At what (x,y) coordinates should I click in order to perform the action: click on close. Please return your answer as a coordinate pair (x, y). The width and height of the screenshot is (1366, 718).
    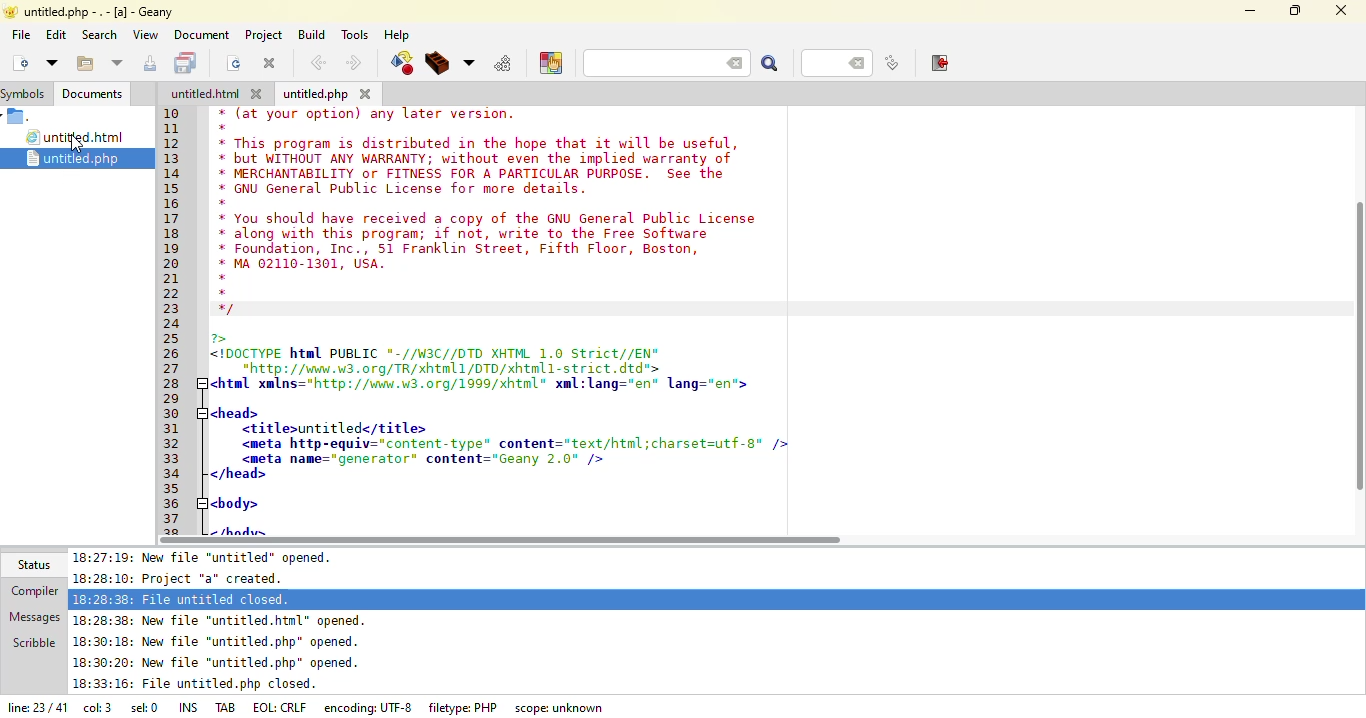
    Looking at the image, I should click on (366, 94).